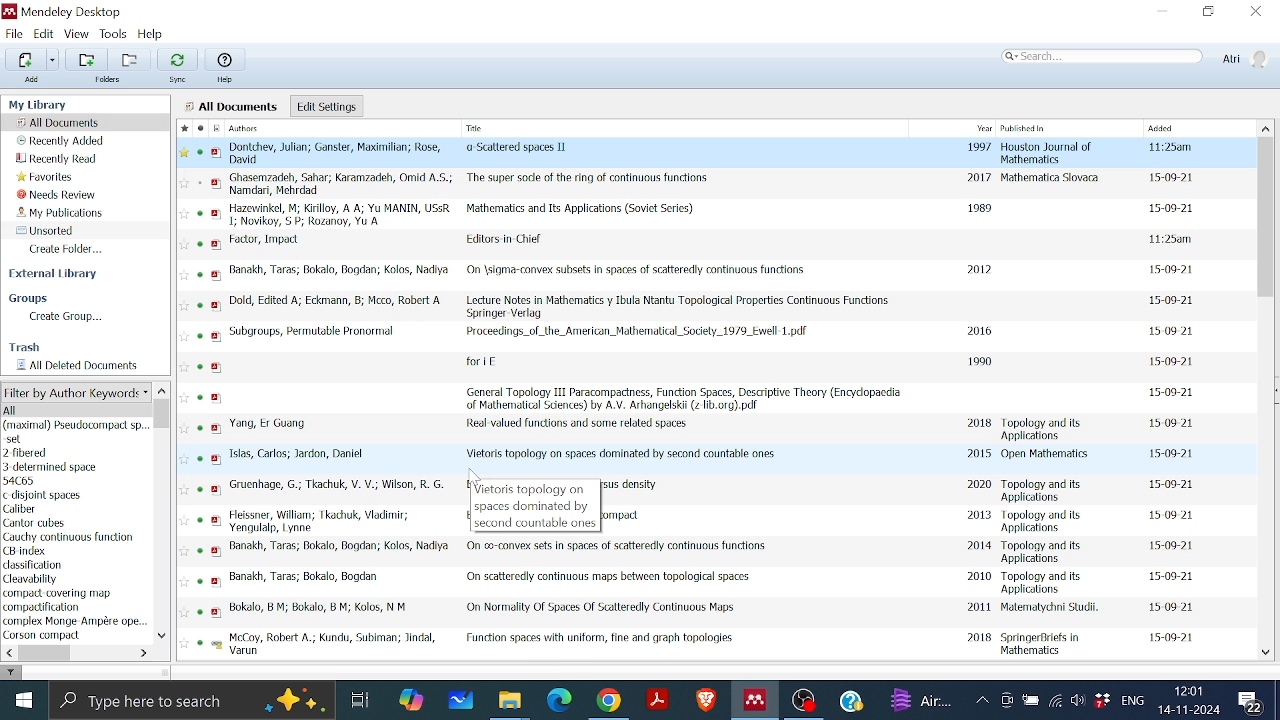  I want to click on pdf, so click(218, 460).